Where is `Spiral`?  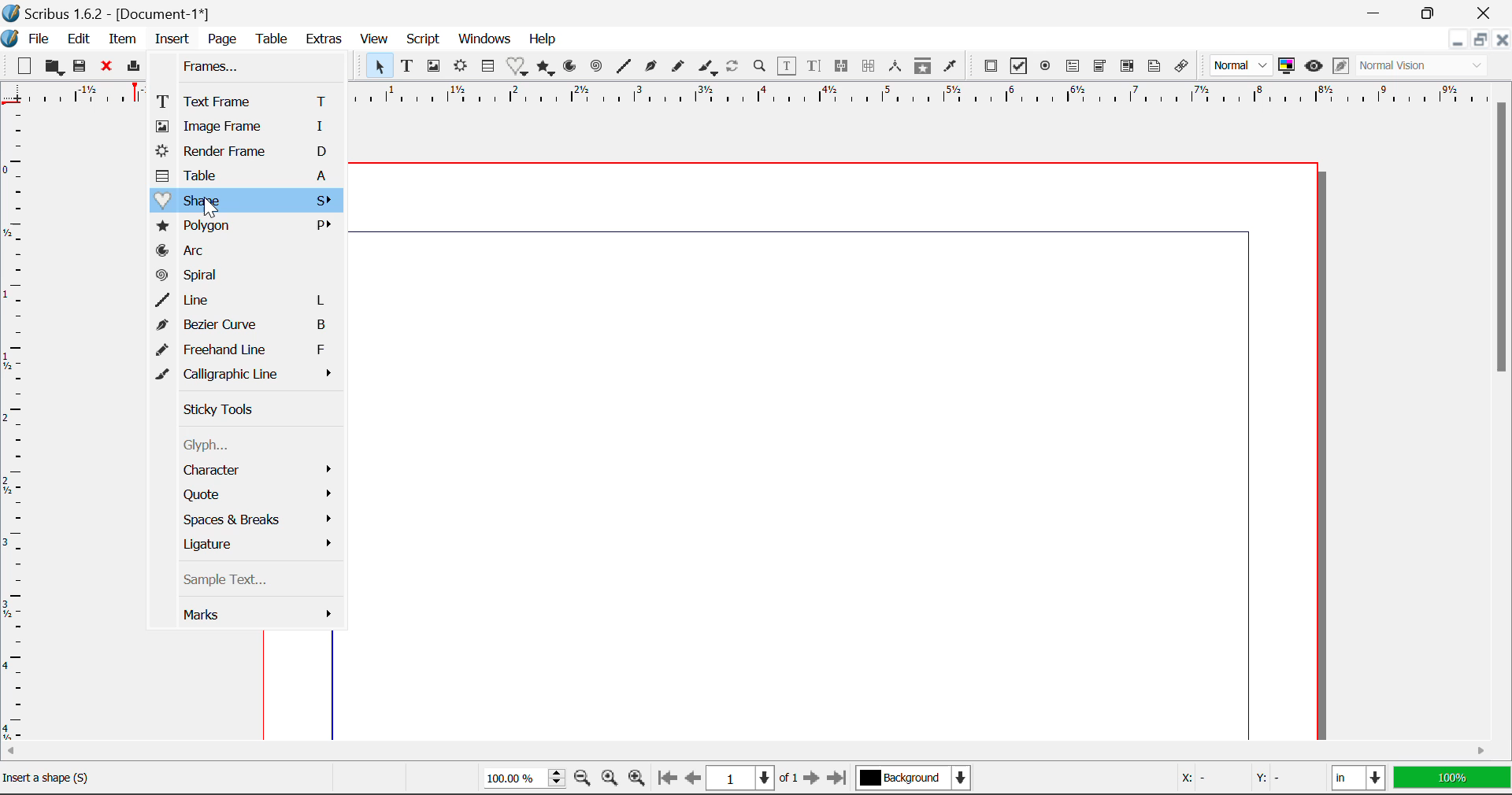
Spiral is located at coordinates (249, 277).